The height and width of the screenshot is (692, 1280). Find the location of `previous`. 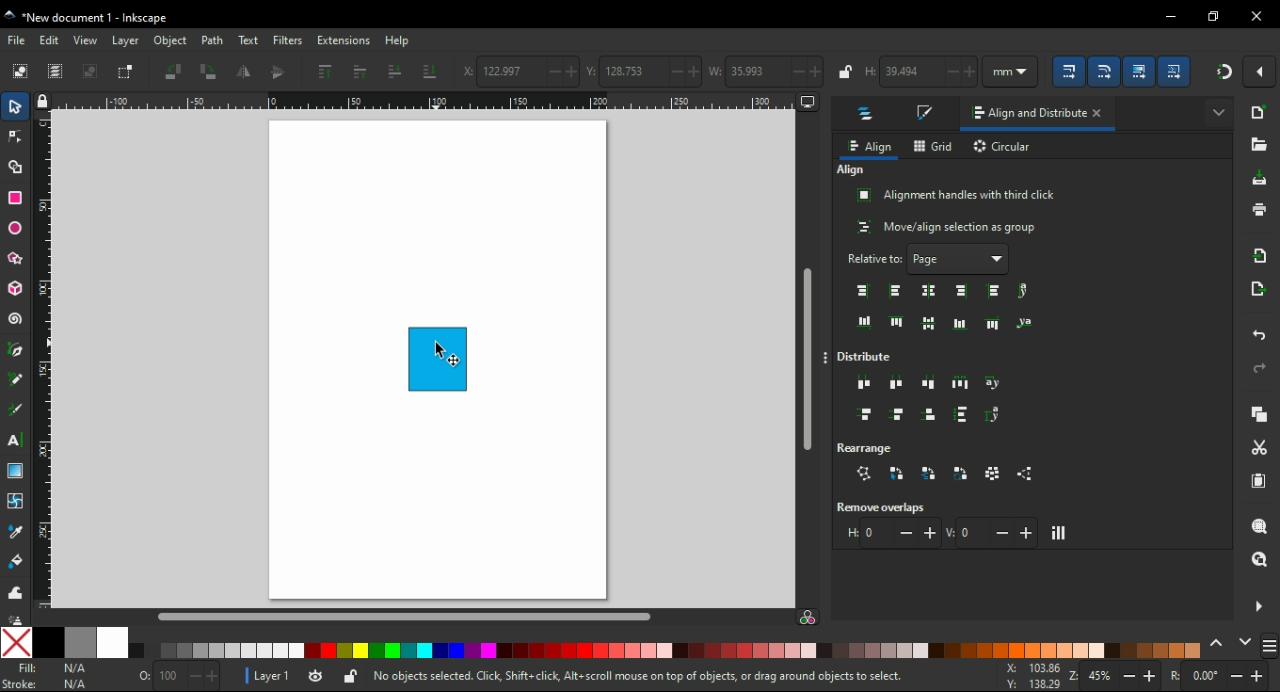

previous is located at coordinates (1218, 644).